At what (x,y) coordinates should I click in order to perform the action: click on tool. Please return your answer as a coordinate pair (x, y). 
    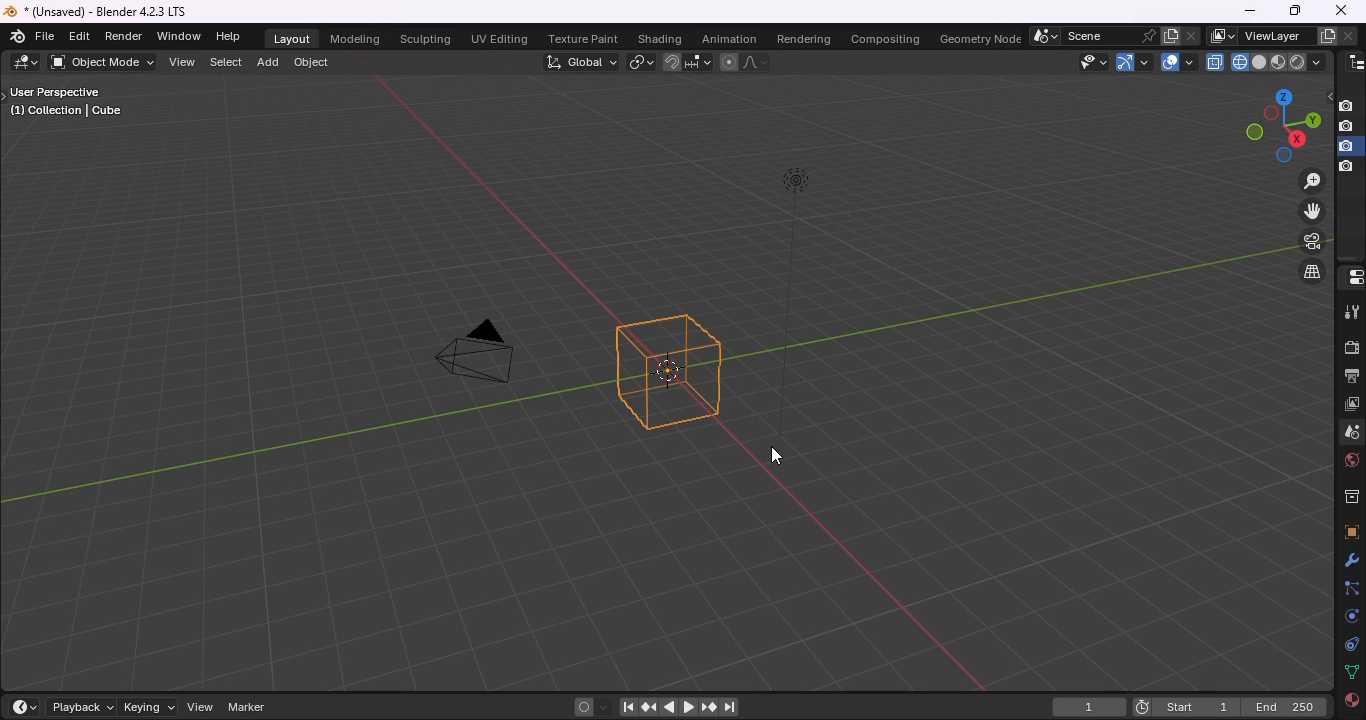
    Looking at the image, I should click on (1351, 312).